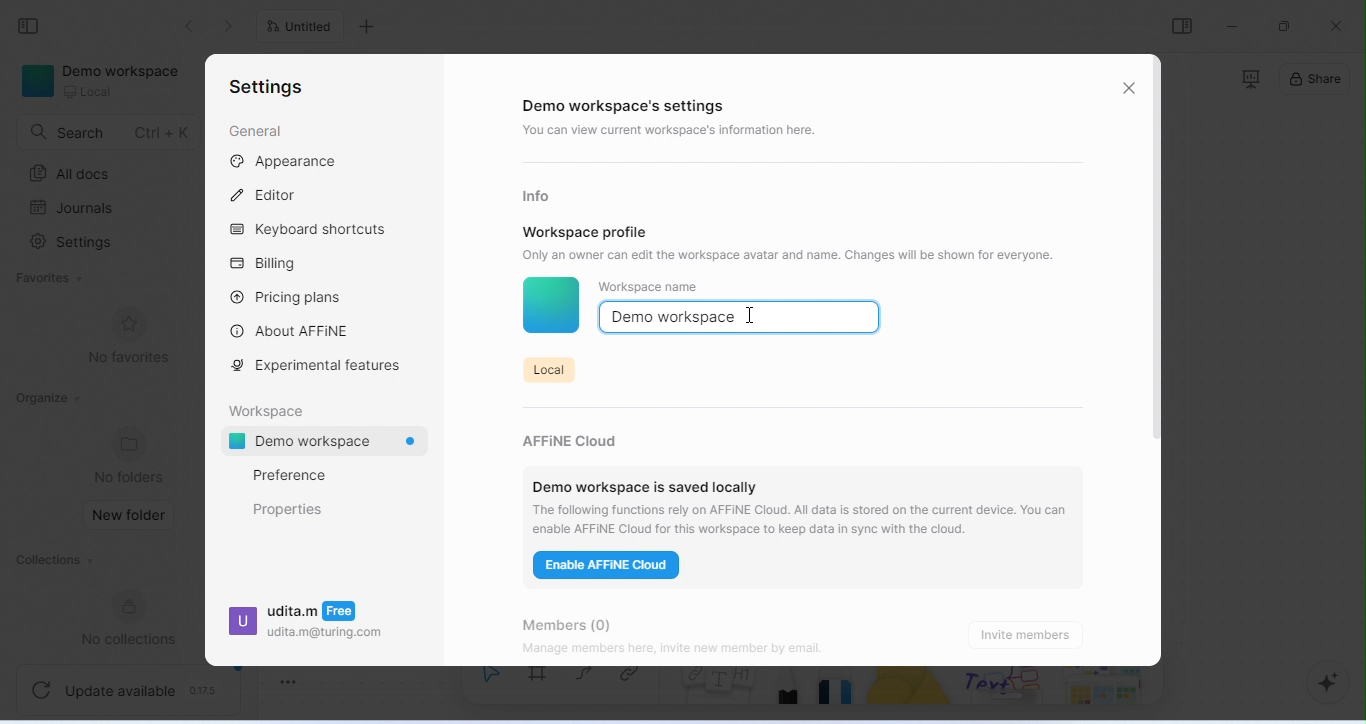  What do you see at coordinates (576, 436) in the screenshot?
I see `affine cloud` at bounding box center [576, 436].